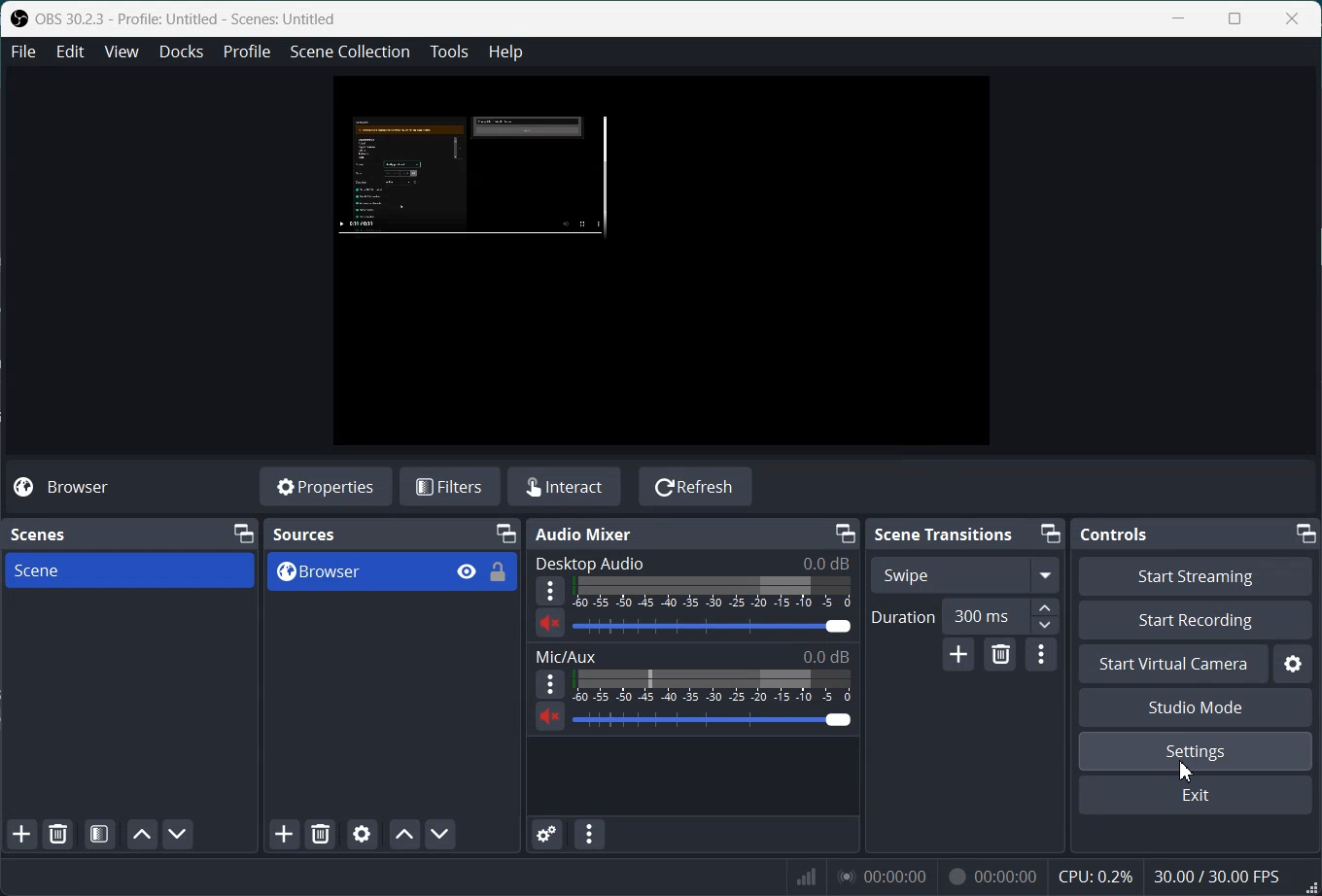 This screenshot has height=896, width=1322. What do you see at coordinates (660, 261) in the screenshot?
I see `Preview Window` at bounding box center [660, 261].